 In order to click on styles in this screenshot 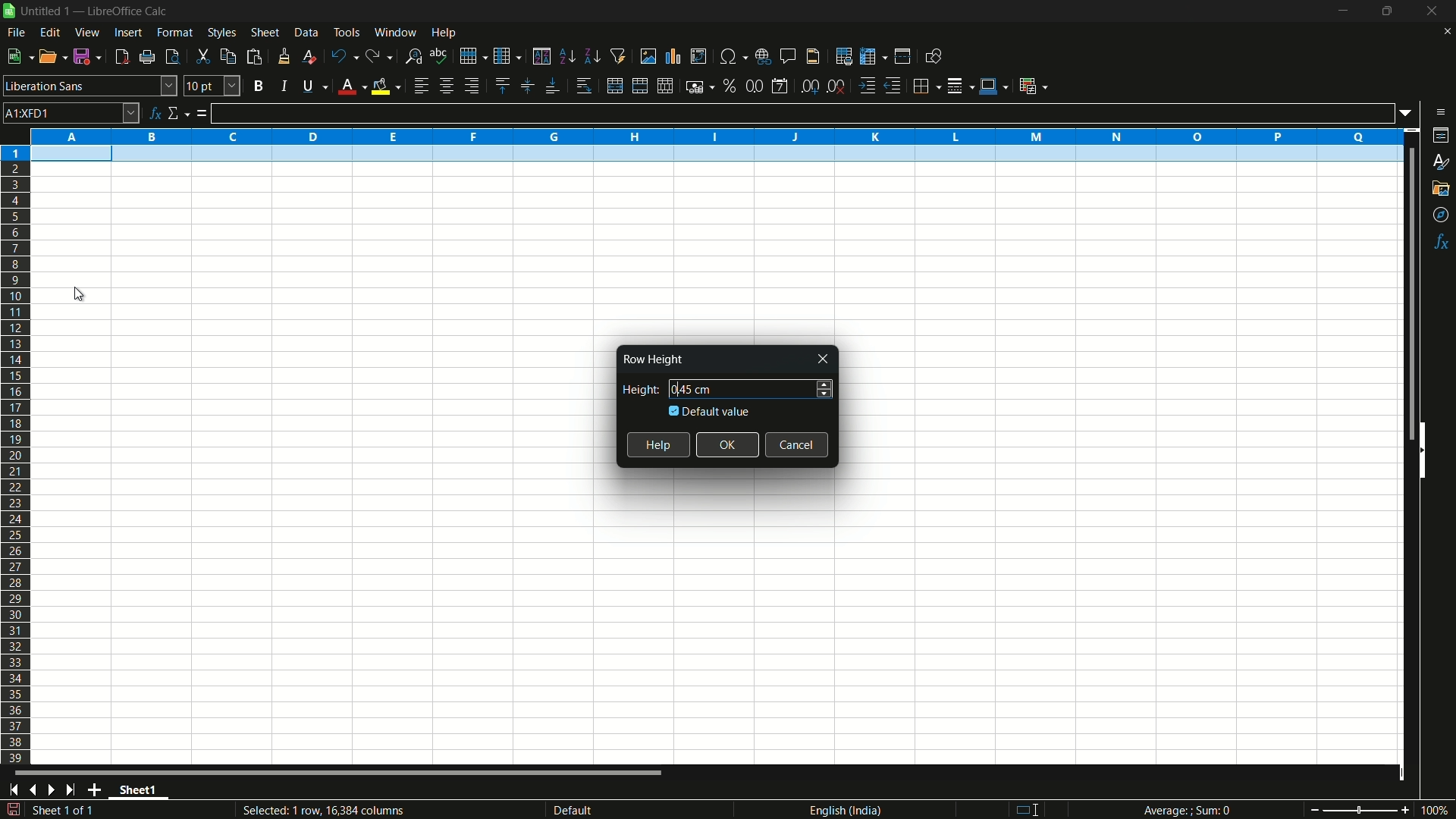, I will do `click(1439, 163)`.